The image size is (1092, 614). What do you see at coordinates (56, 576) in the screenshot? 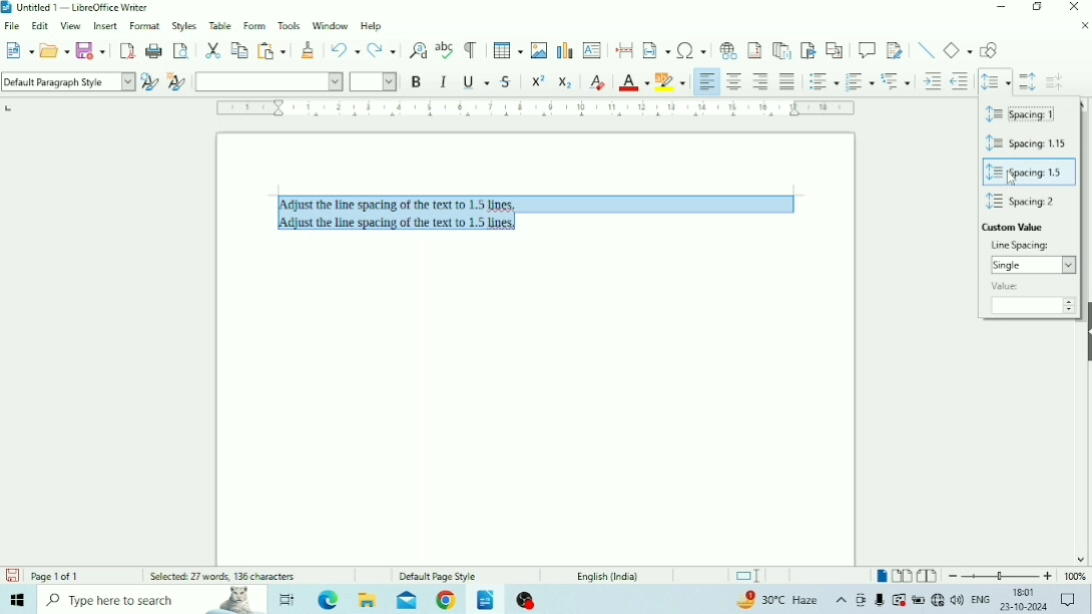
I see `Page number` at bounding box center [56, 576].